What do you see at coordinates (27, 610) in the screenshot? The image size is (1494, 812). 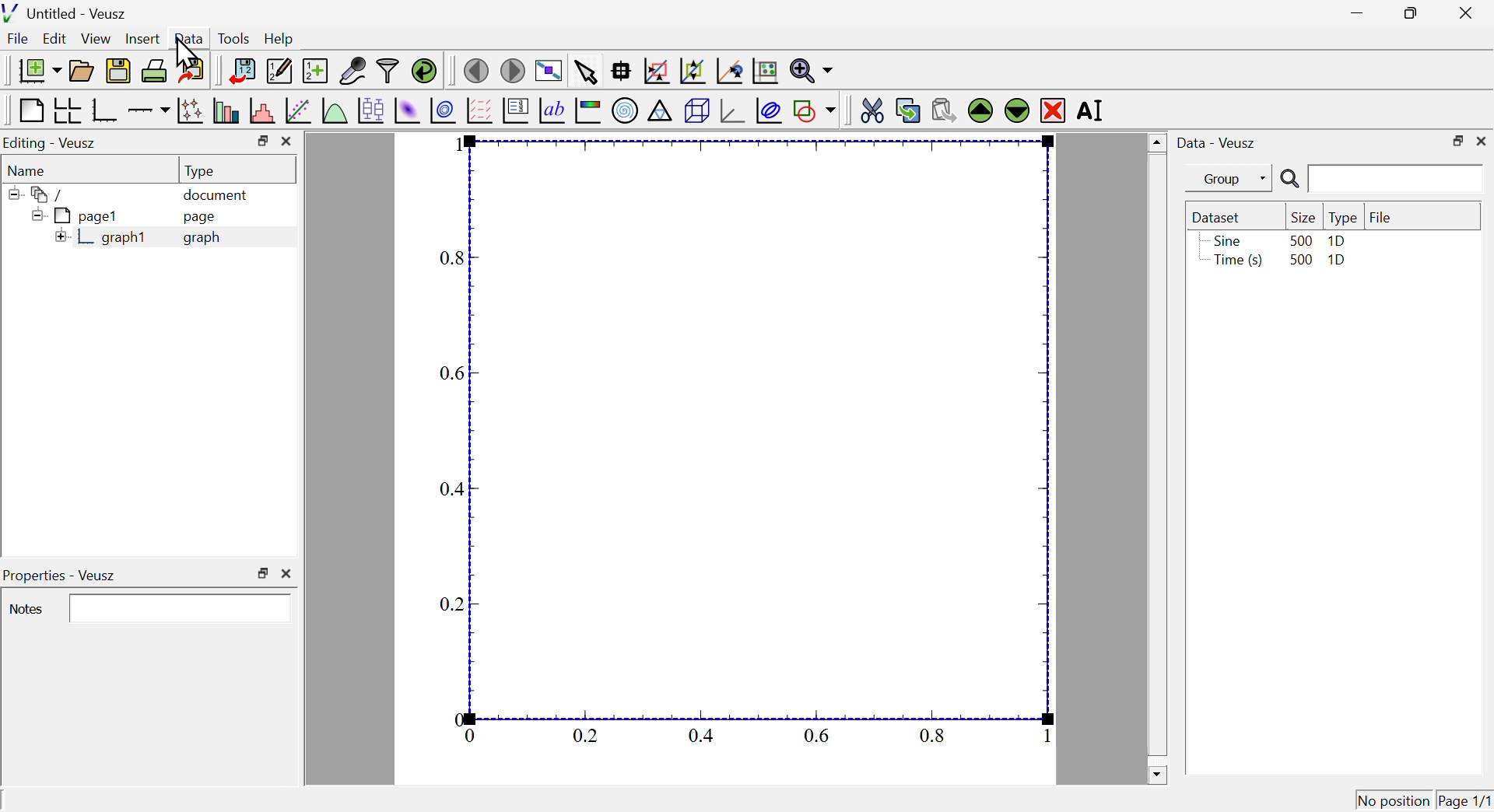 I see `notes` at bounding box center [27, 610].